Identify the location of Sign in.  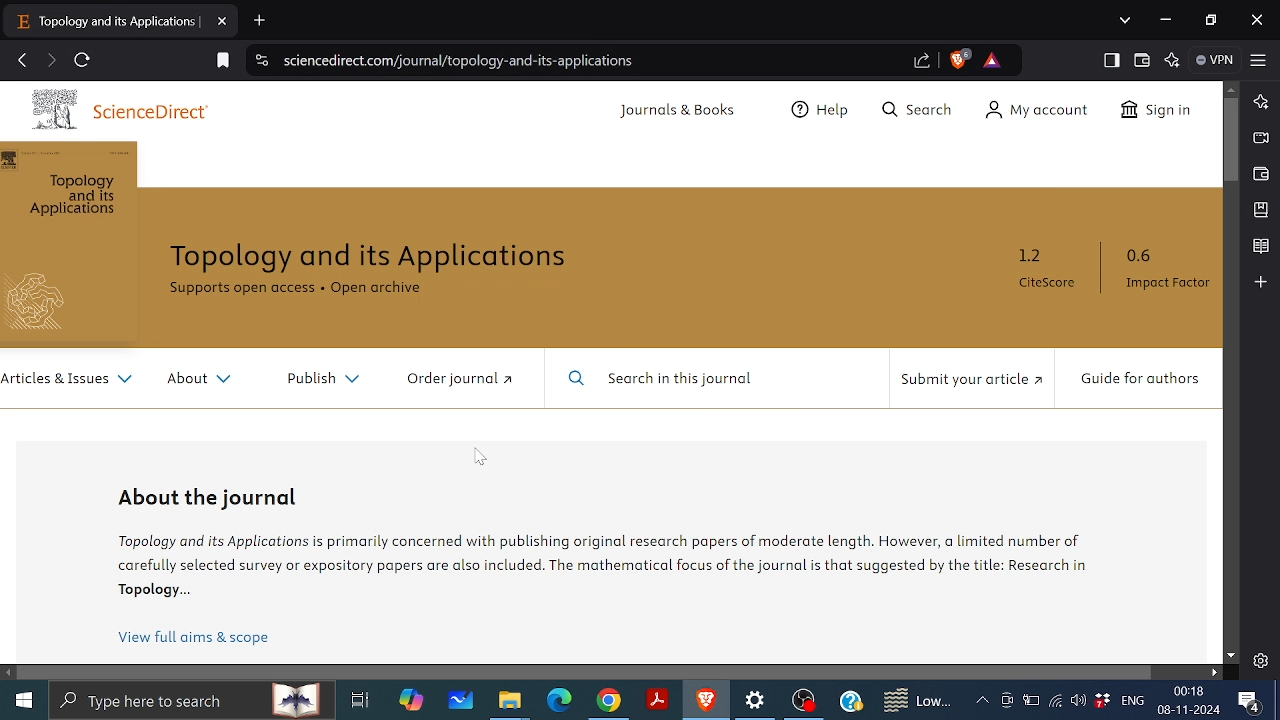
(1157, 111).